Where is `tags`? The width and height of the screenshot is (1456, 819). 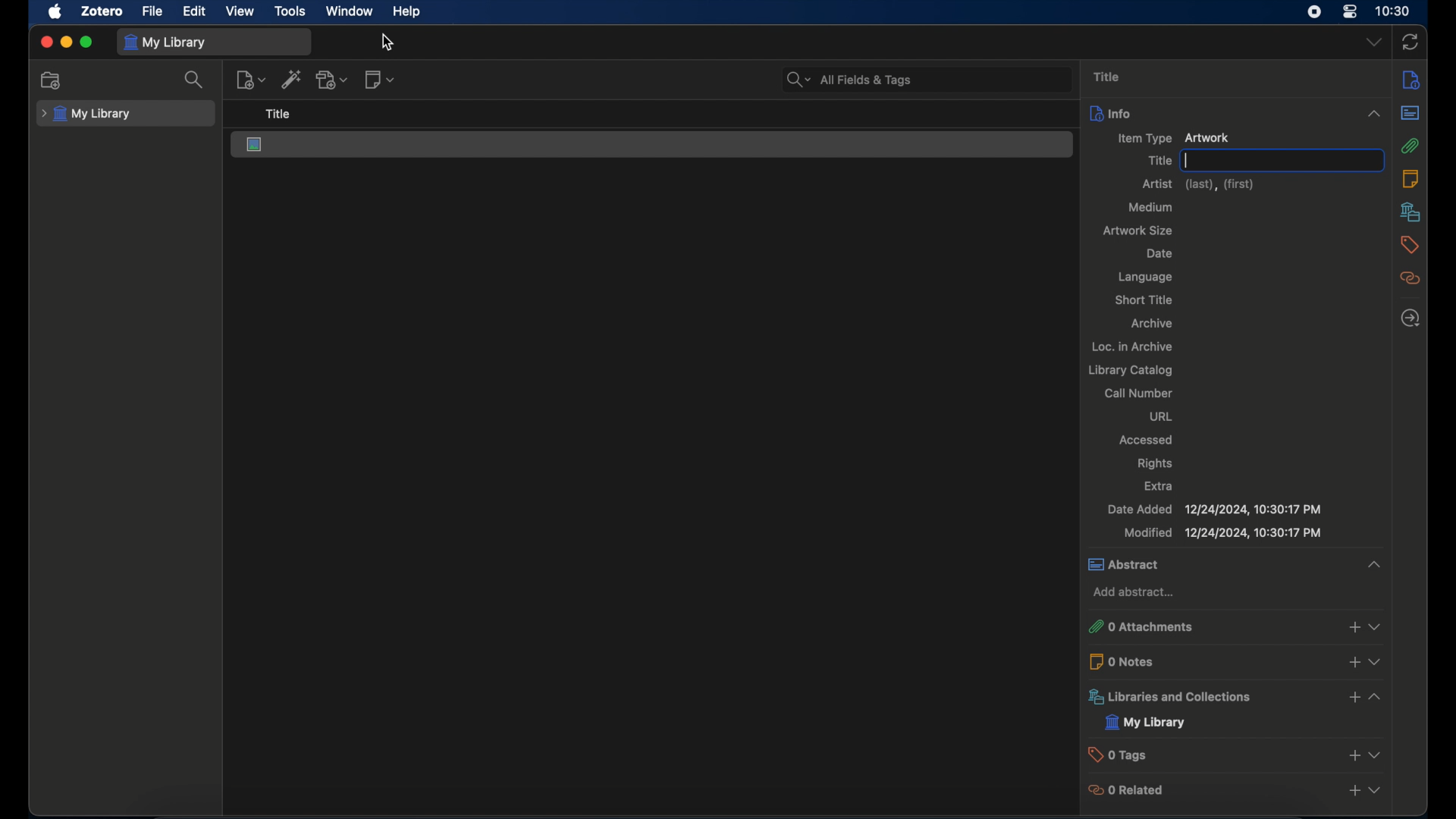 tags is located at coordinates (1407, 244).